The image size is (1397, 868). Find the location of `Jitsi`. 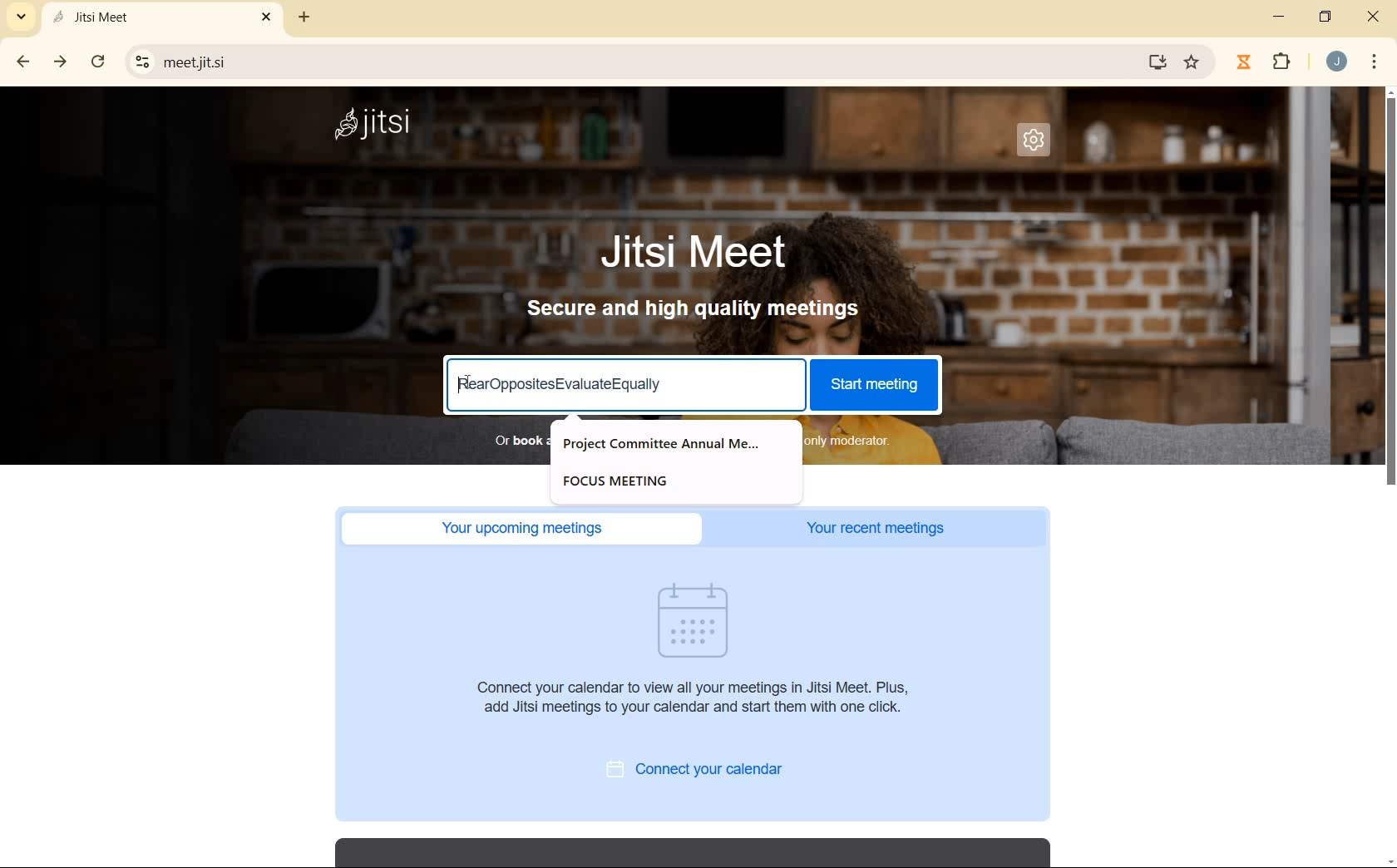

Jitsi is located at coordinates (373, 126).